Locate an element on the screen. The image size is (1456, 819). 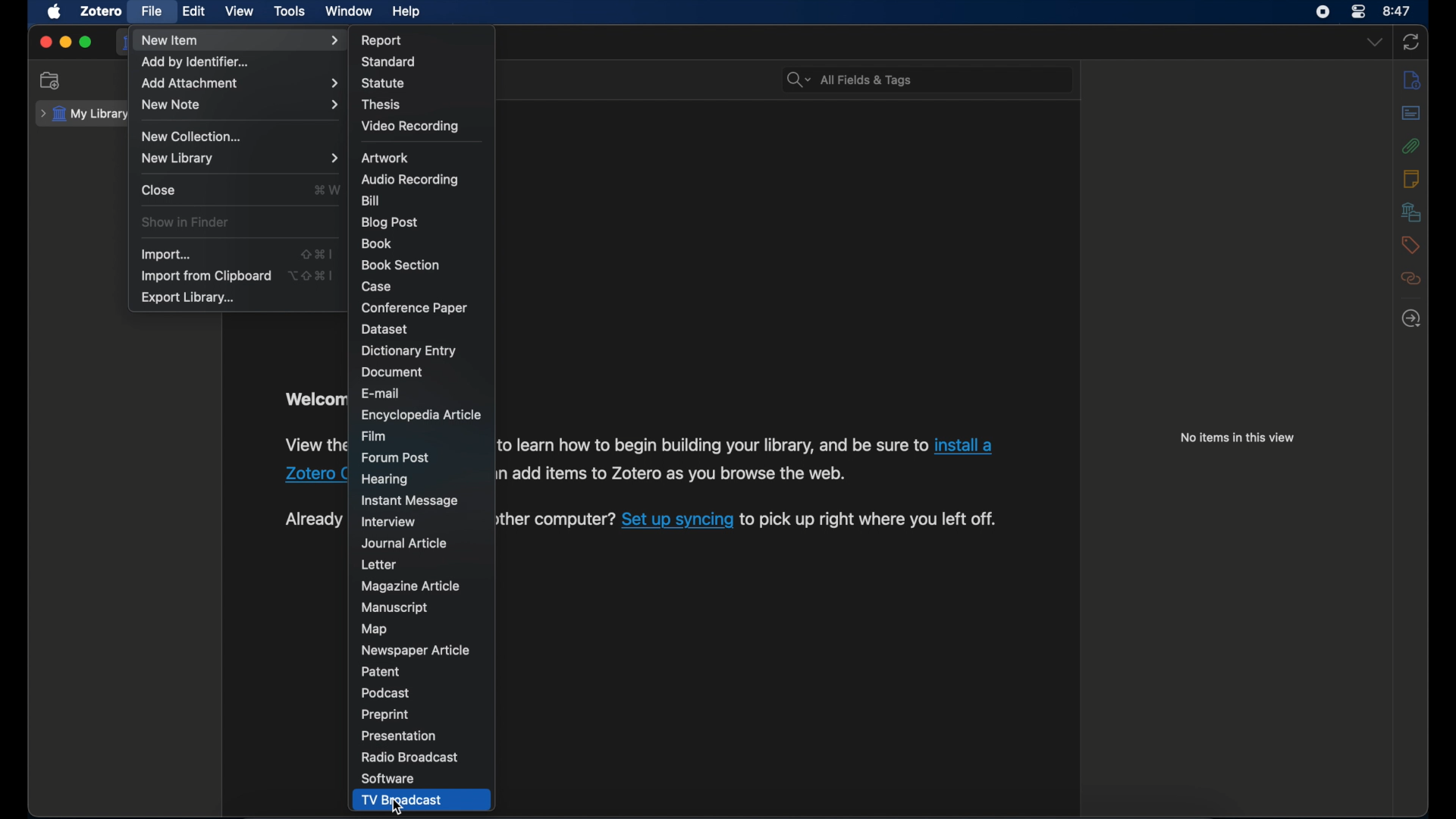
sync link is located at coordinates (676, 523).